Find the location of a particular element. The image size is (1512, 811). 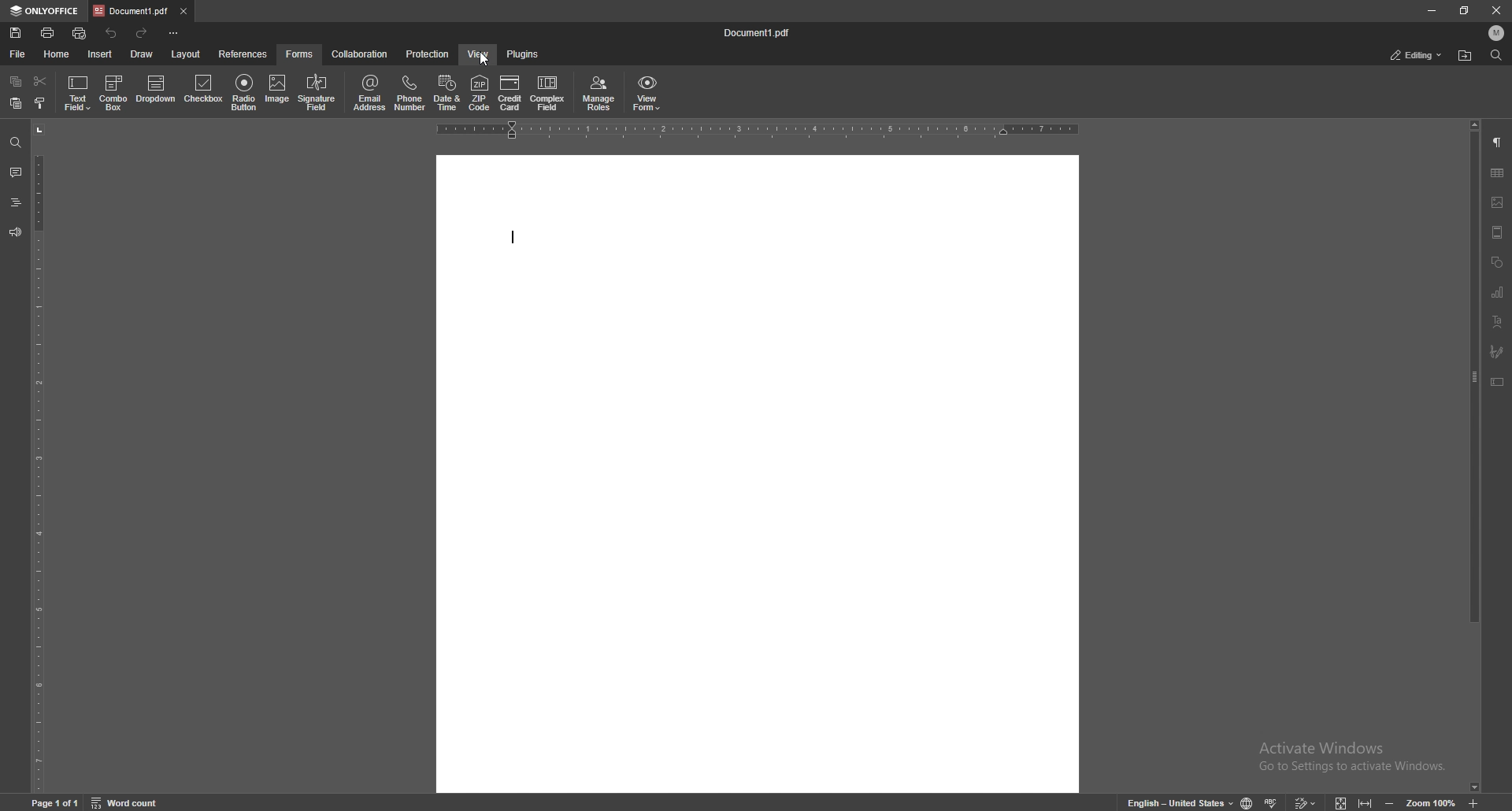

plugins is located at coordinates (526, 54).